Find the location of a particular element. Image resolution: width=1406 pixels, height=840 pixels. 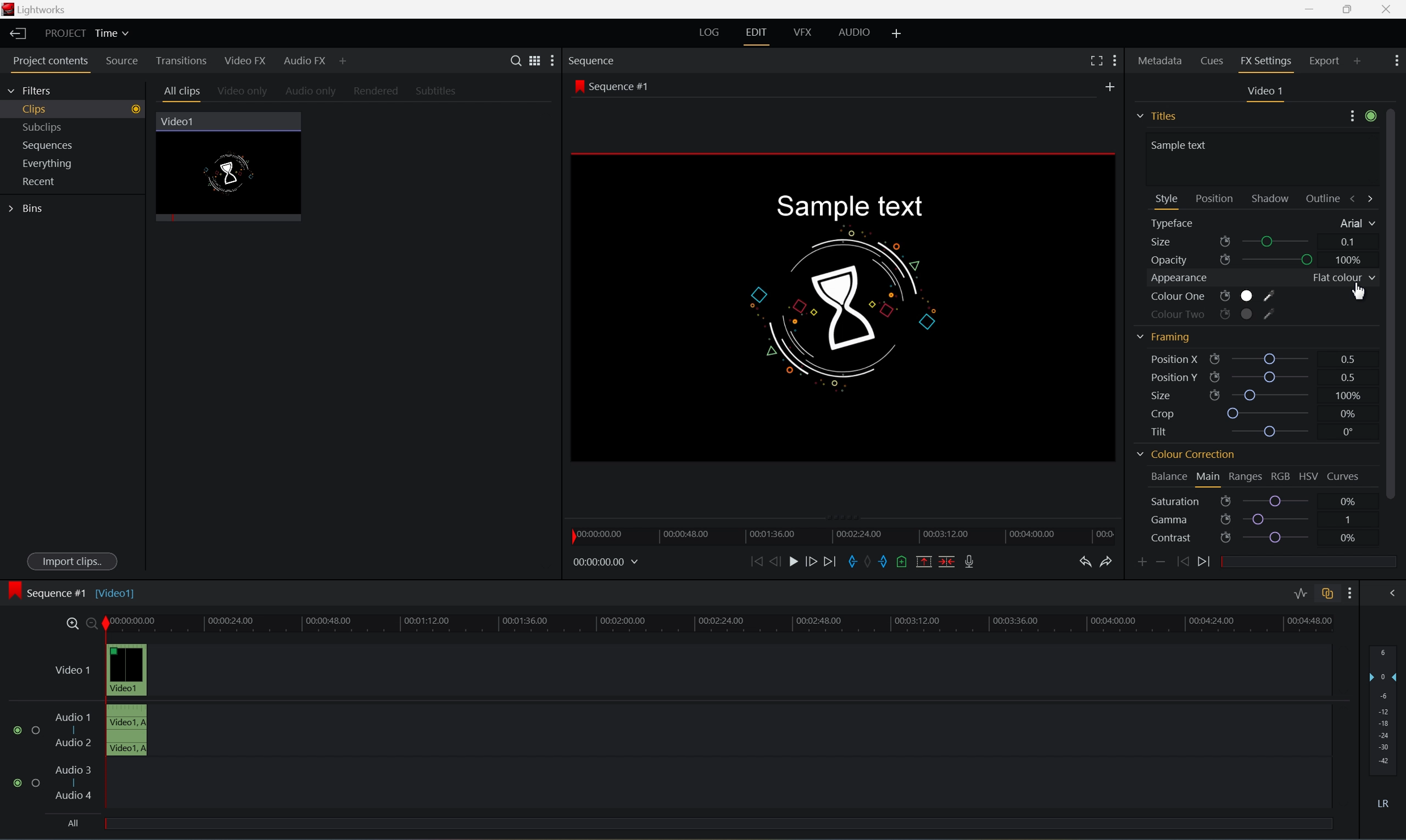

flat colour is located at coordinates (1340, 278).